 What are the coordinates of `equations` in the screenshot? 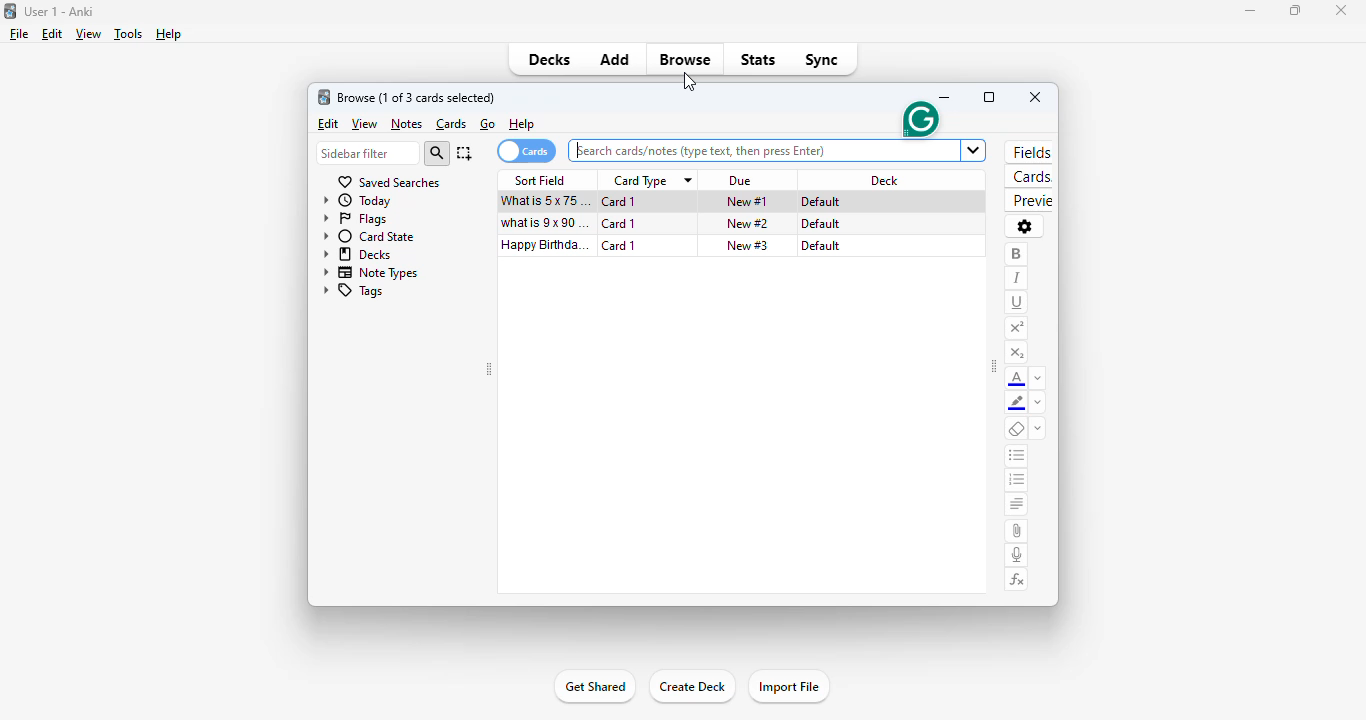 It's located at (1017, 580).